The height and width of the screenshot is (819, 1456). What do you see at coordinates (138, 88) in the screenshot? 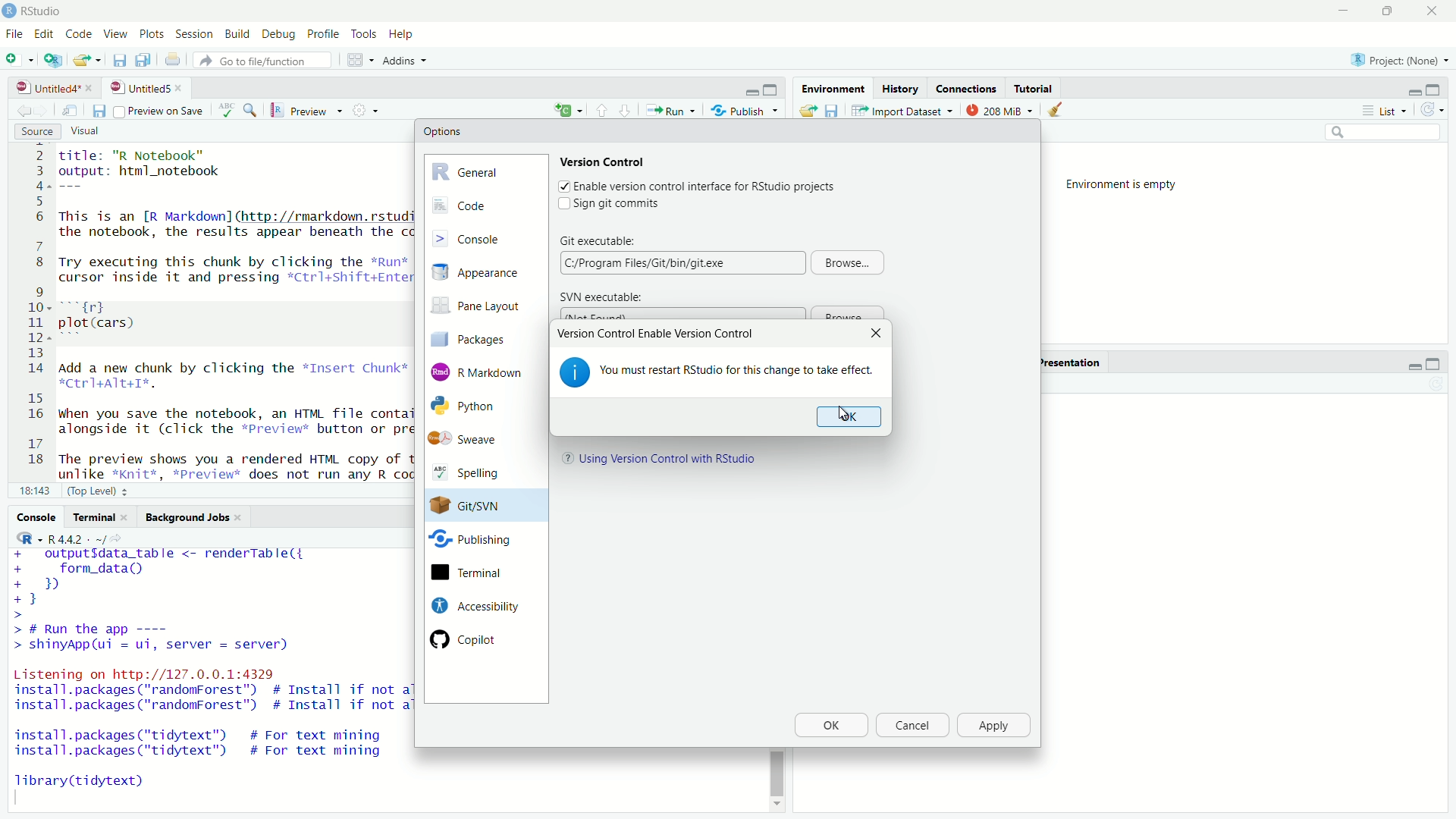
I see `Untitled5` at bounding box center [138, 88].